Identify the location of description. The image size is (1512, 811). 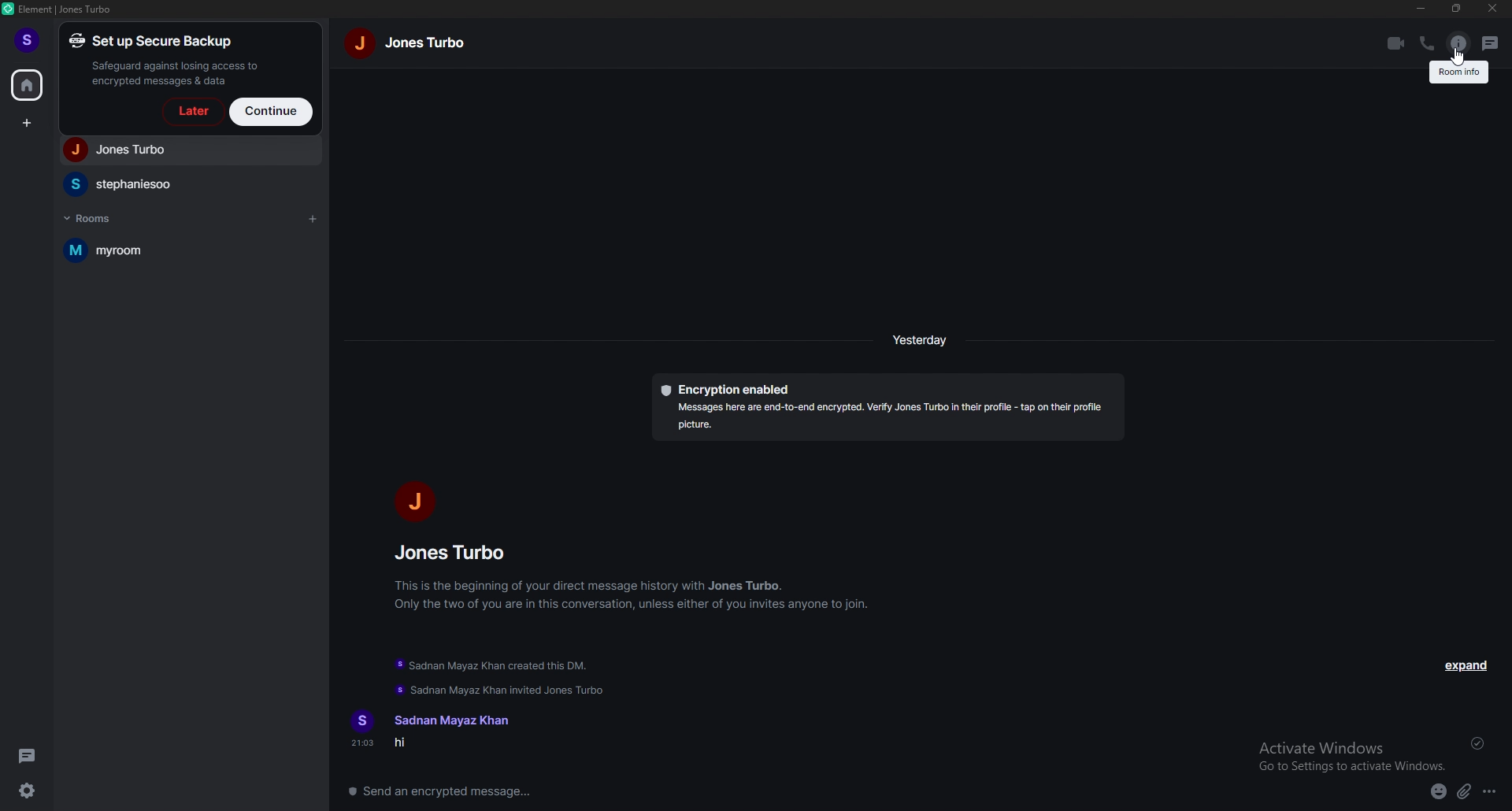
(1460, 76).